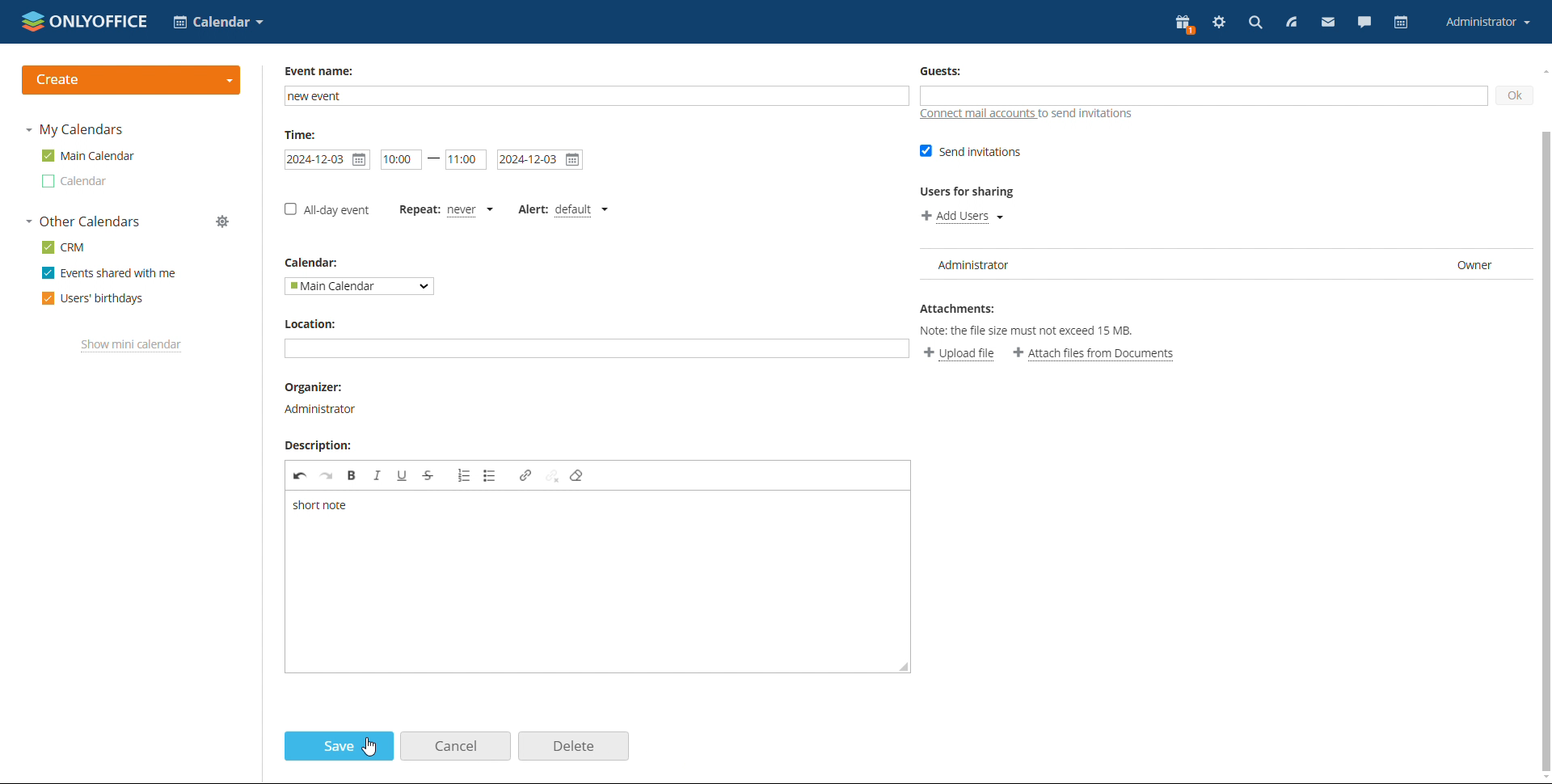  What do you see at coordinates (64, 247) in the screenshot?
I see `crm` at bounding box center [64, 247].